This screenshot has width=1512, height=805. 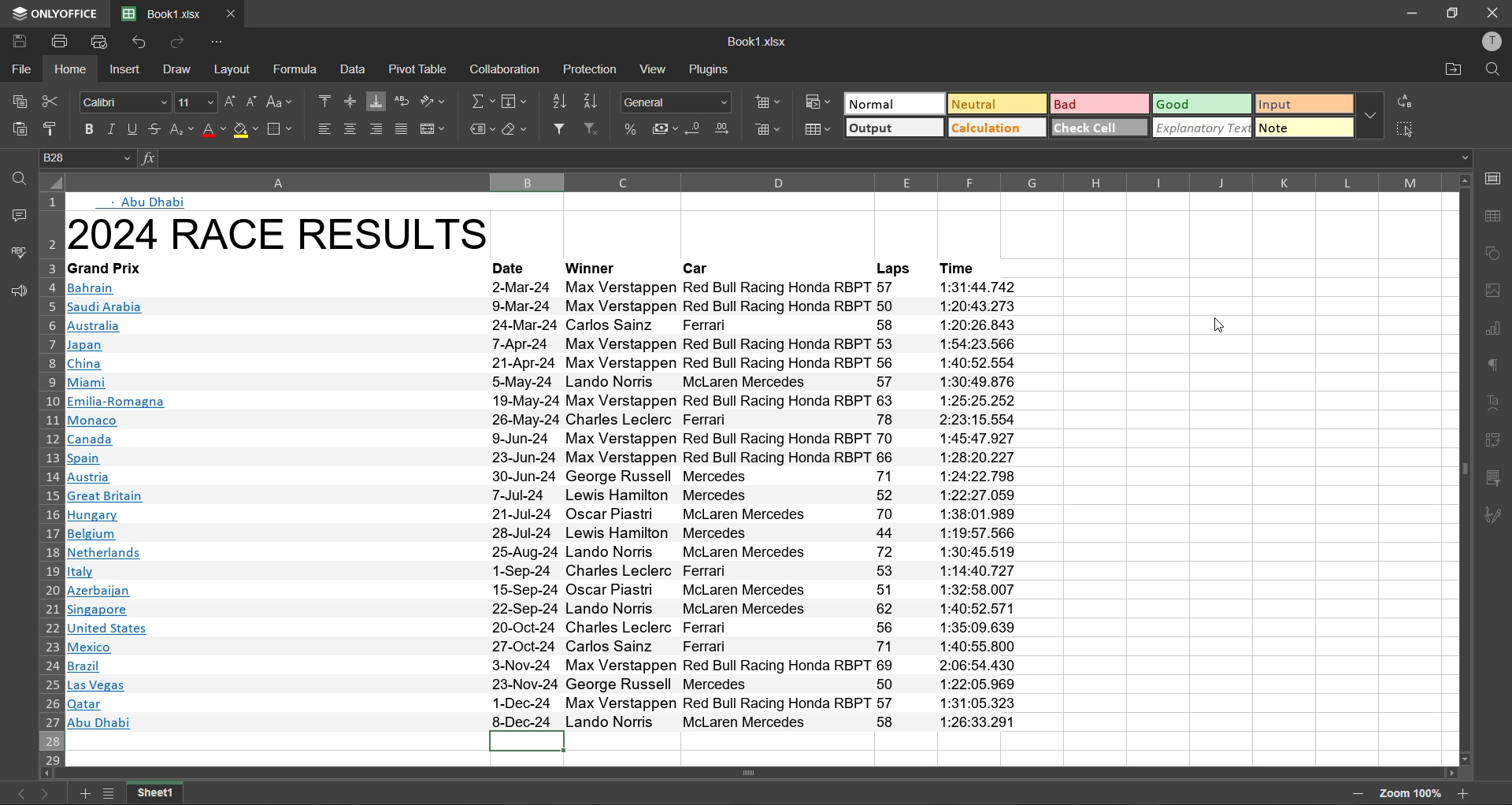 I want to click on file name: Book1.xlsx, so click(x=759, y=42).